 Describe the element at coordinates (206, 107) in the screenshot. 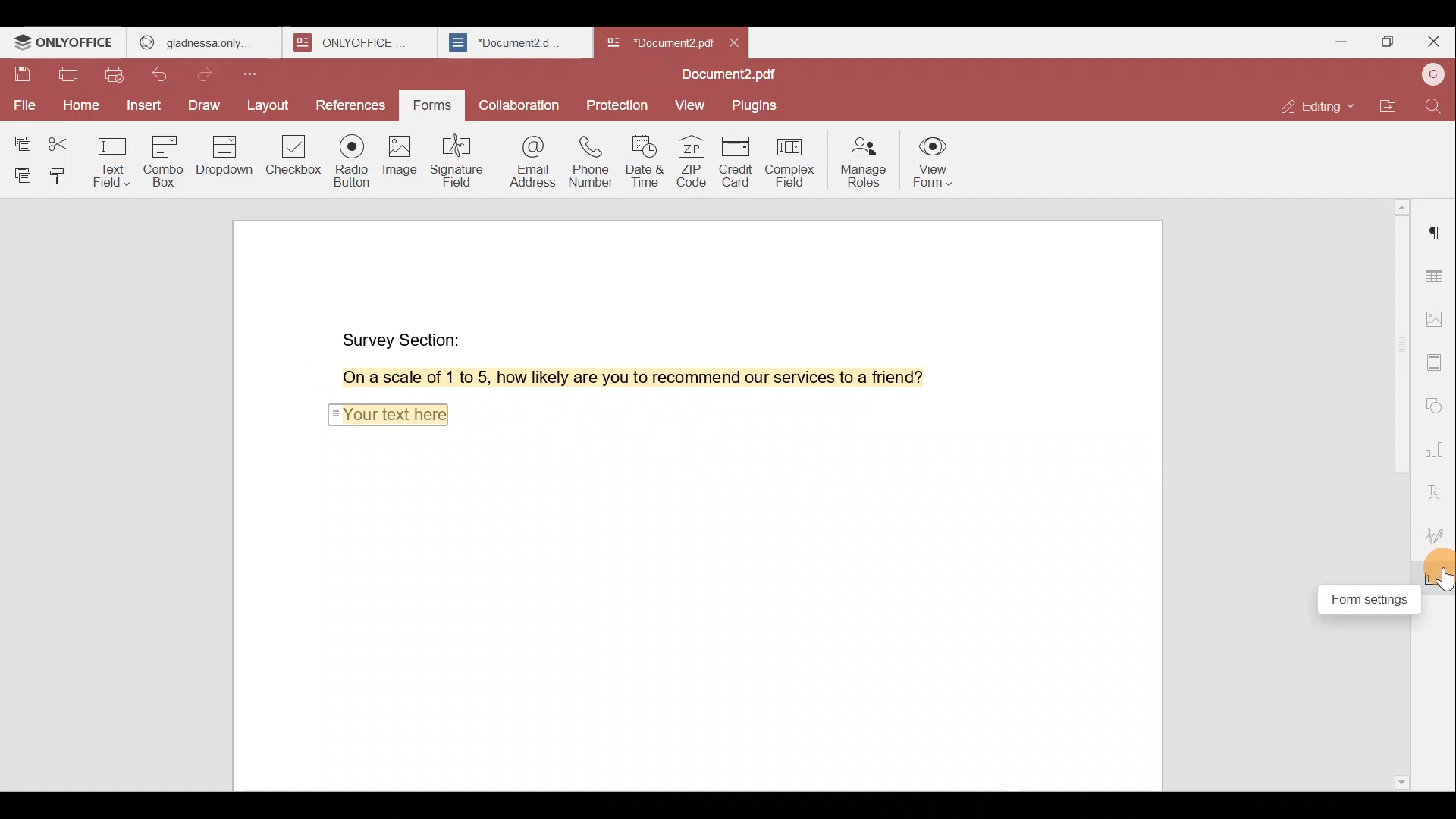

I see `Draw` at that location.